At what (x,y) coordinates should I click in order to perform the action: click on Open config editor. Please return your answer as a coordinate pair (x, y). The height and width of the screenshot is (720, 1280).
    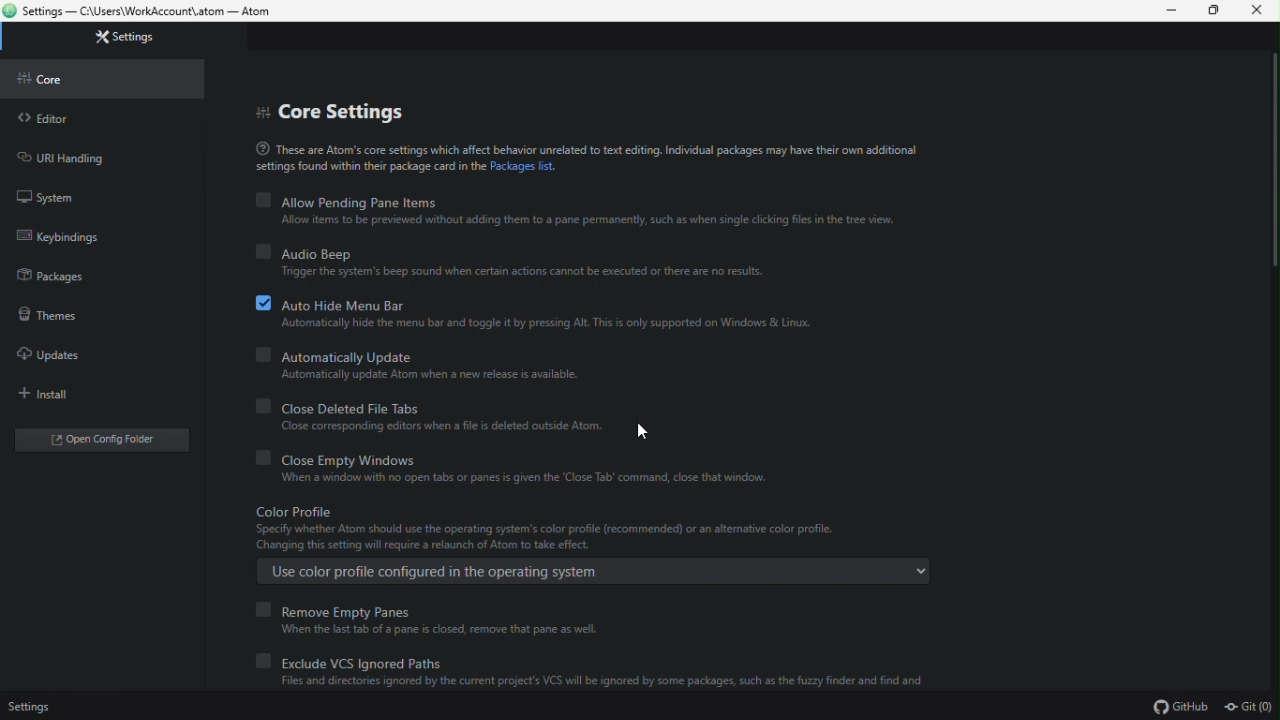
    Looking at the image, I should click on (108, 444).